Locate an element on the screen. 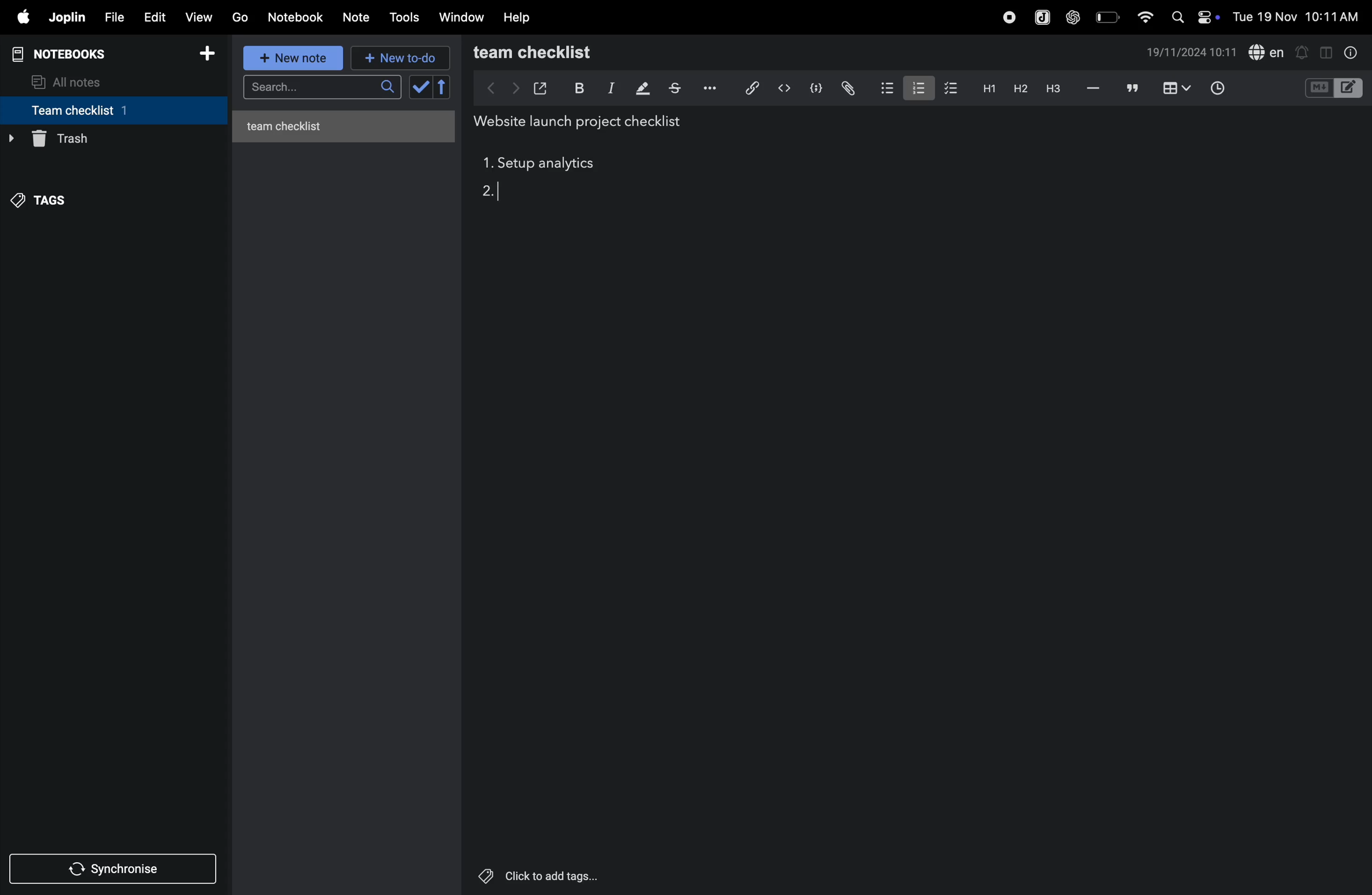 This screenshot has height=895, width=1372. bold is located at coordinates (578, 87).